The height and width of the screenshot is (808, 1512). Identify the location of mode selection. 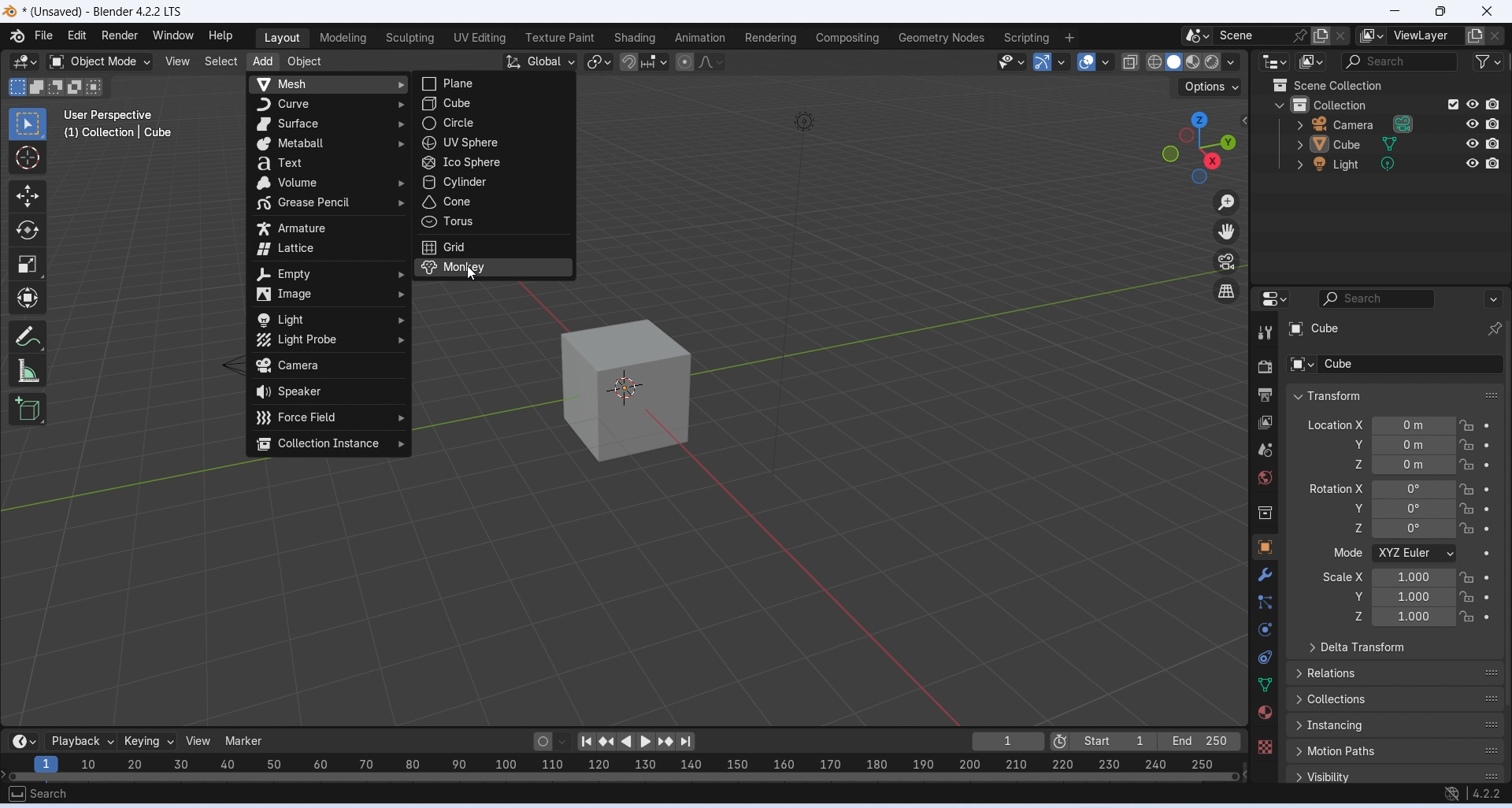
(1415, 554).